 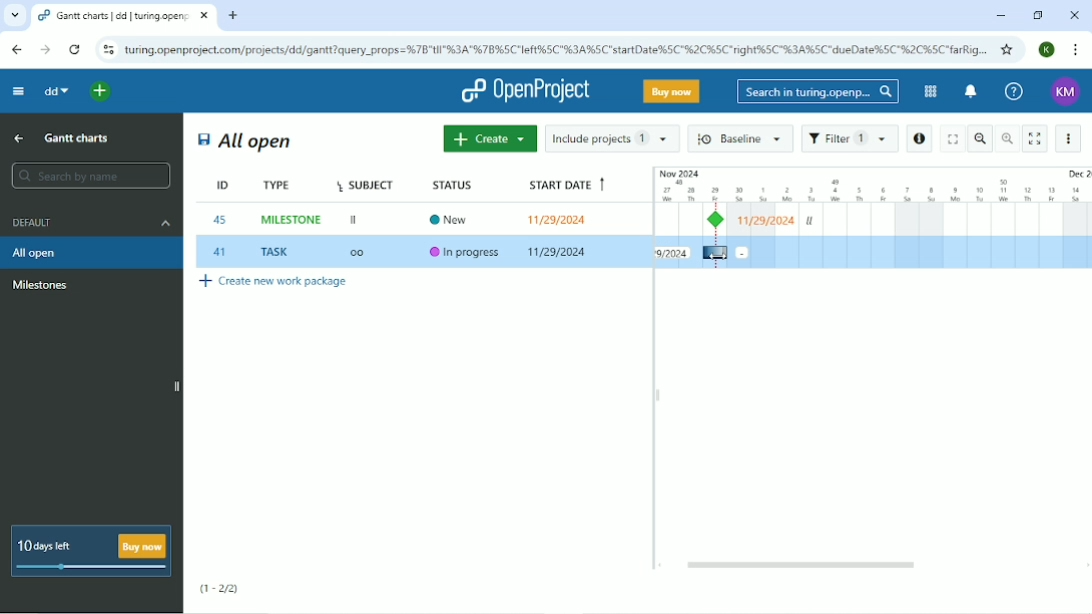 I want to click on In progress, so click(x=466, y=253).